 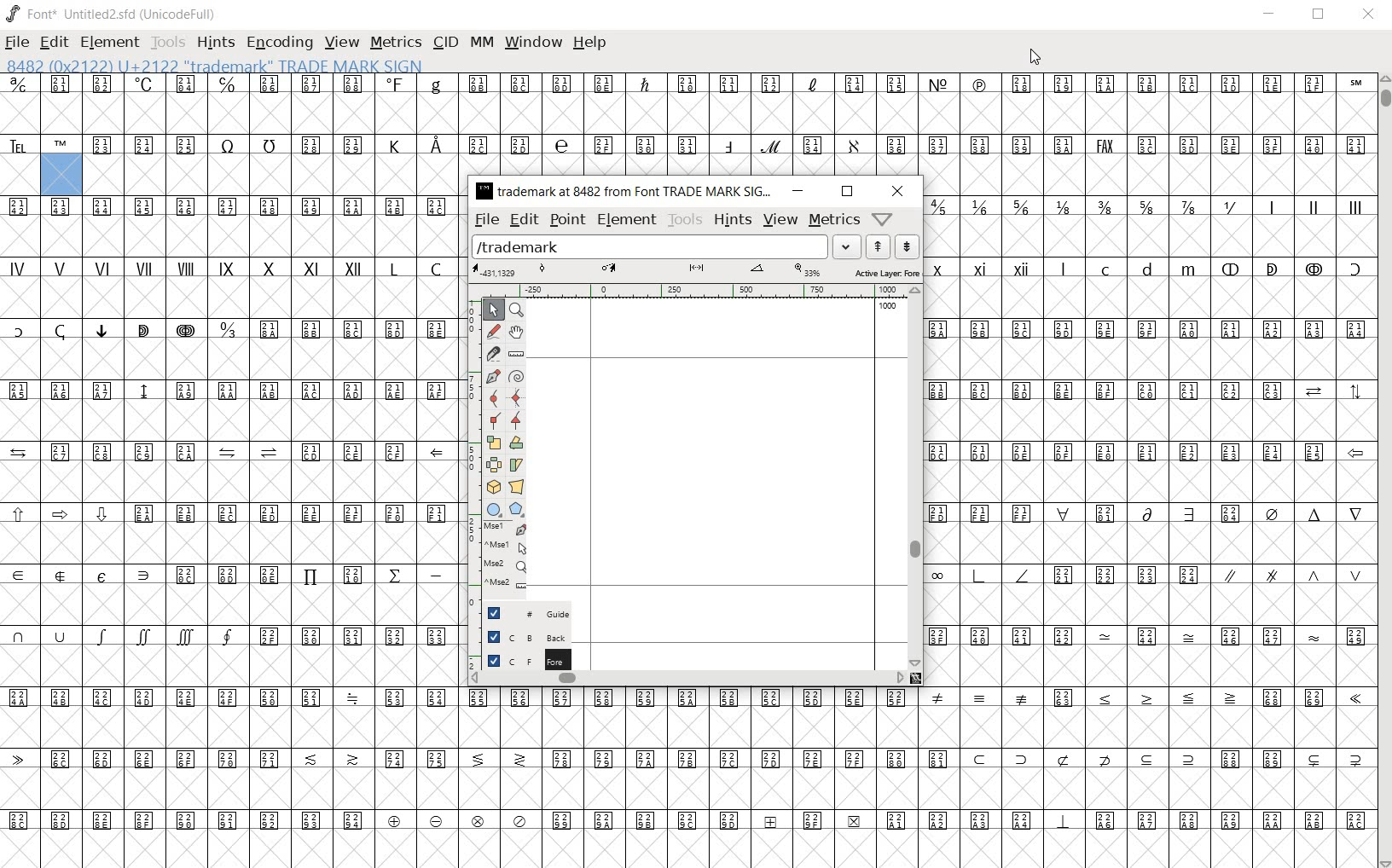 What do you see at coordinates (590, 44) in the screenshot?
I see `HELP` at bounding box center [590, 44].